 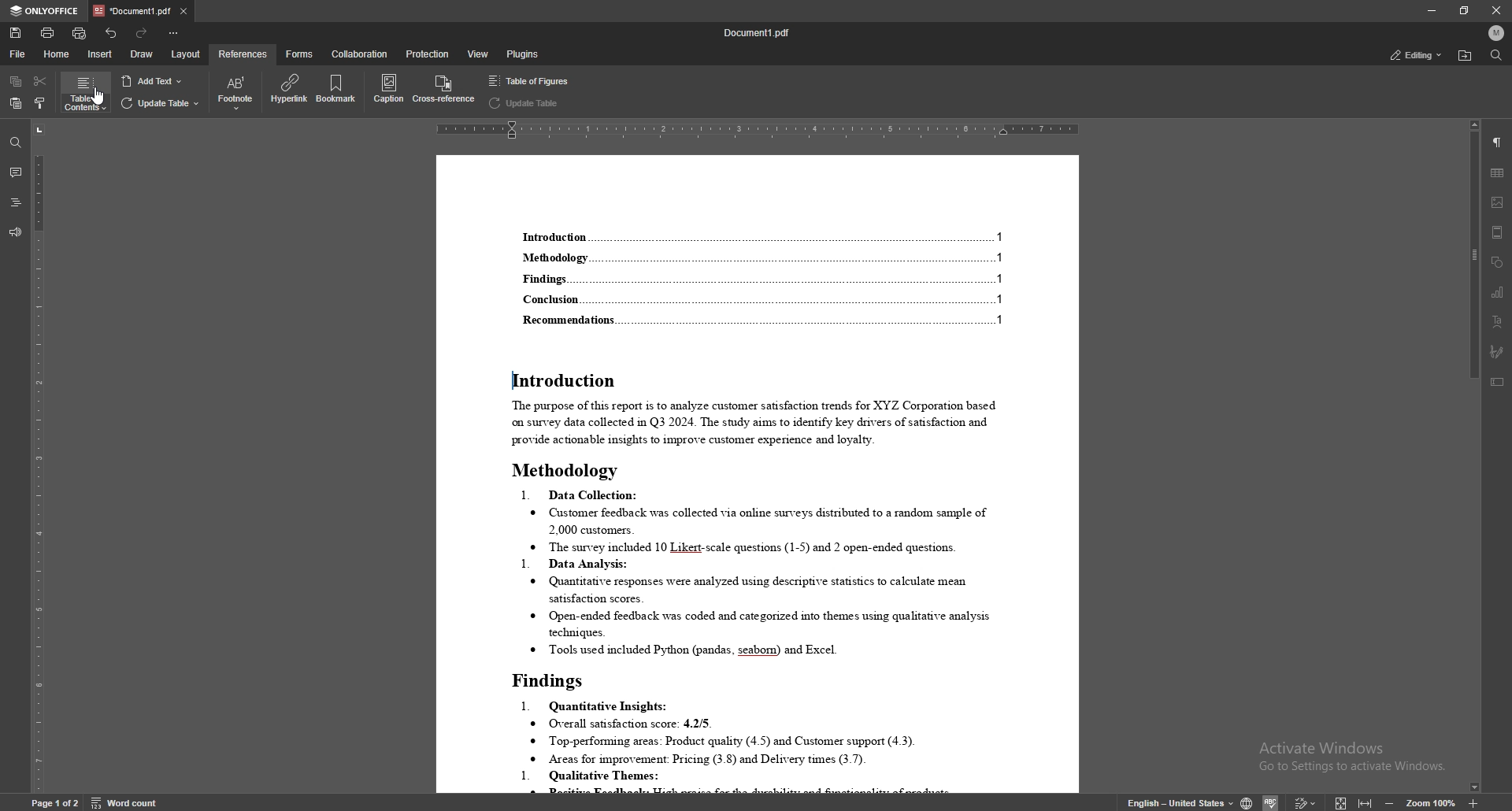 I want to click on zoom, so click(x=1436, y=802).